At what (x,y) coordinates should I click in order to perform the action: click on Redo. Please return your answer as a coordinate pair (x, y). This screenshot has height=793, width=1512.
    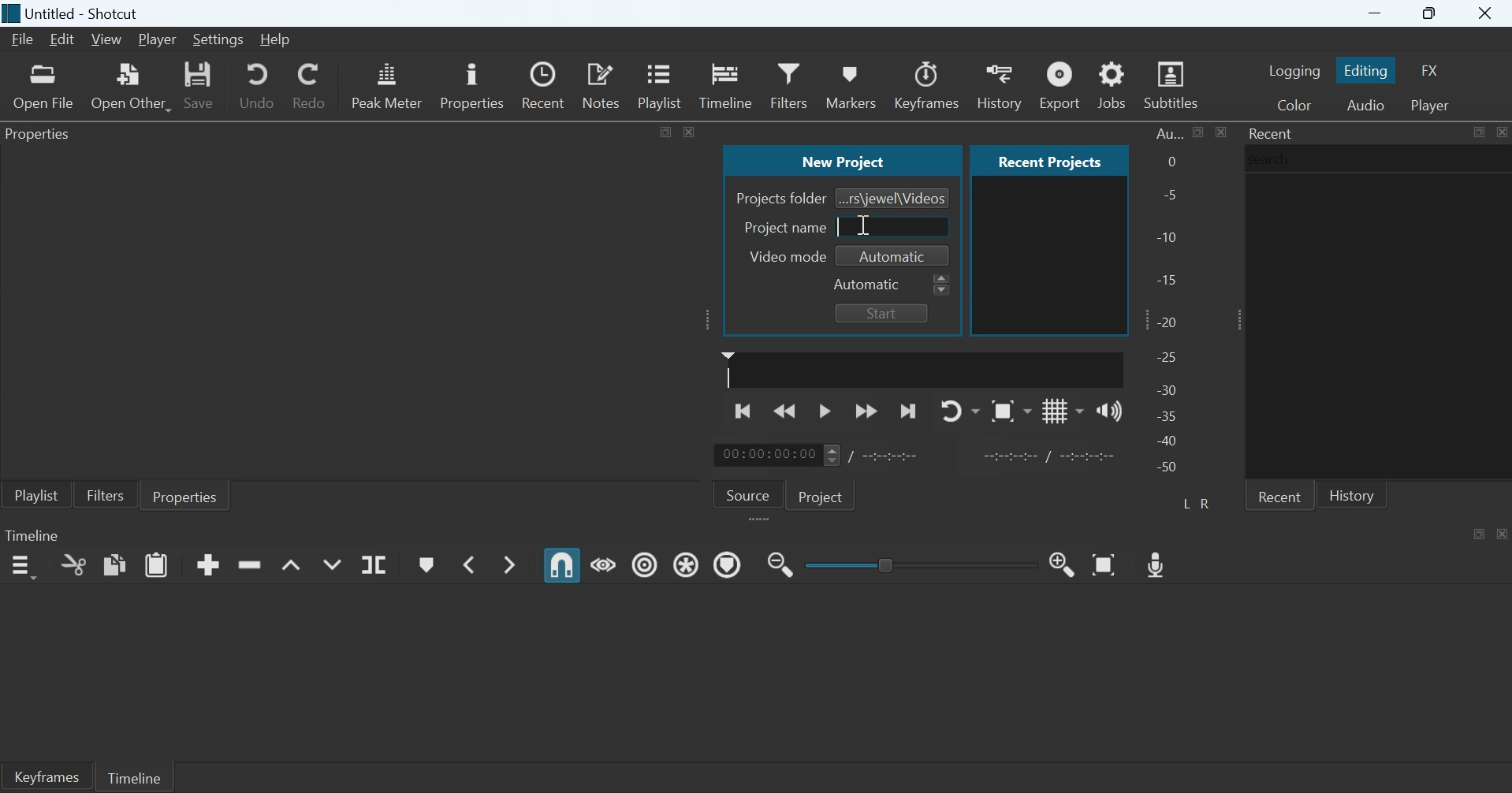
    Looking at the image, I should click on (308, 83).